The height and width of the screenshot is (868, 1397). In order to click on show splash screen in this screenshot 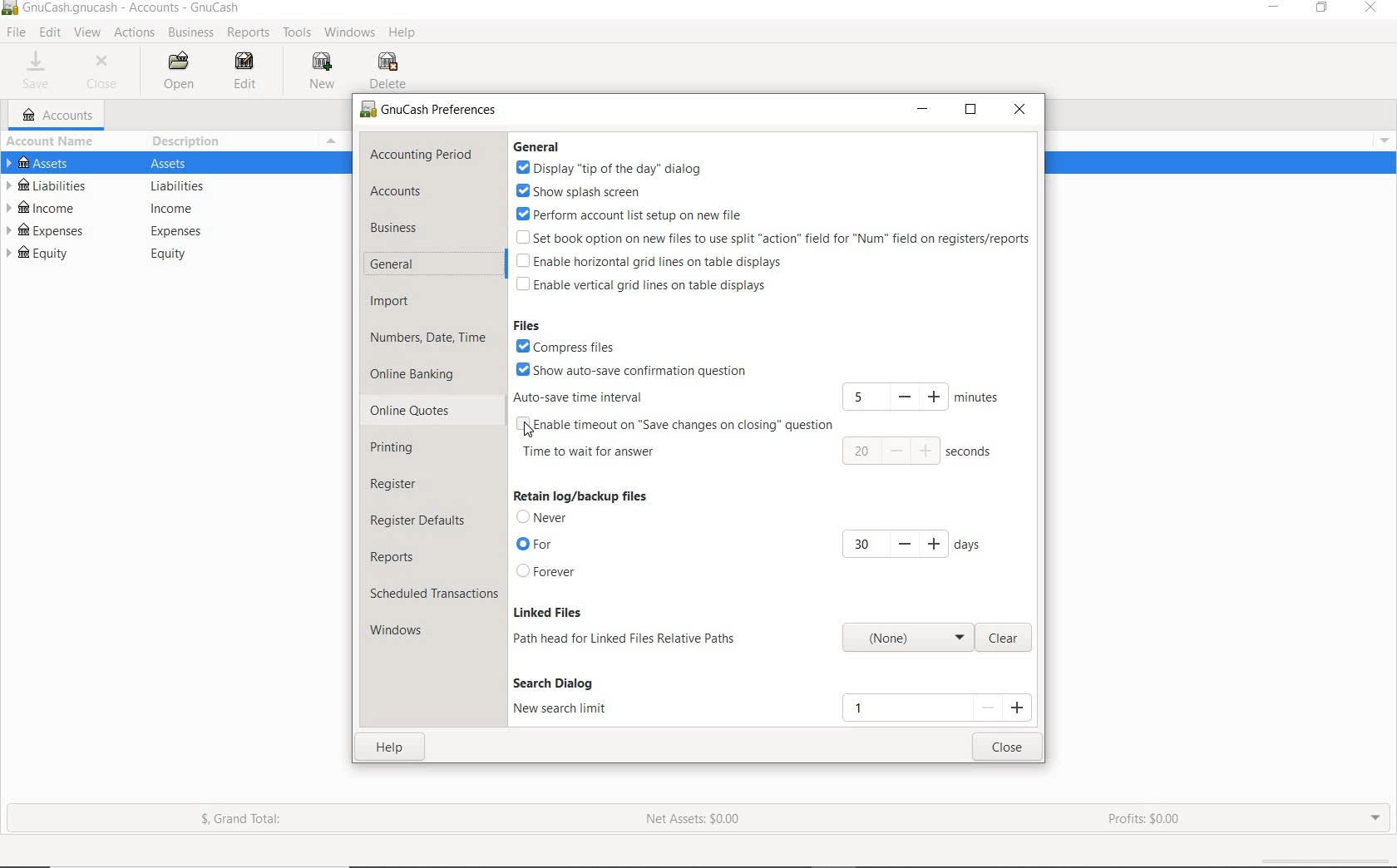, I will do `click(601, 192)`.